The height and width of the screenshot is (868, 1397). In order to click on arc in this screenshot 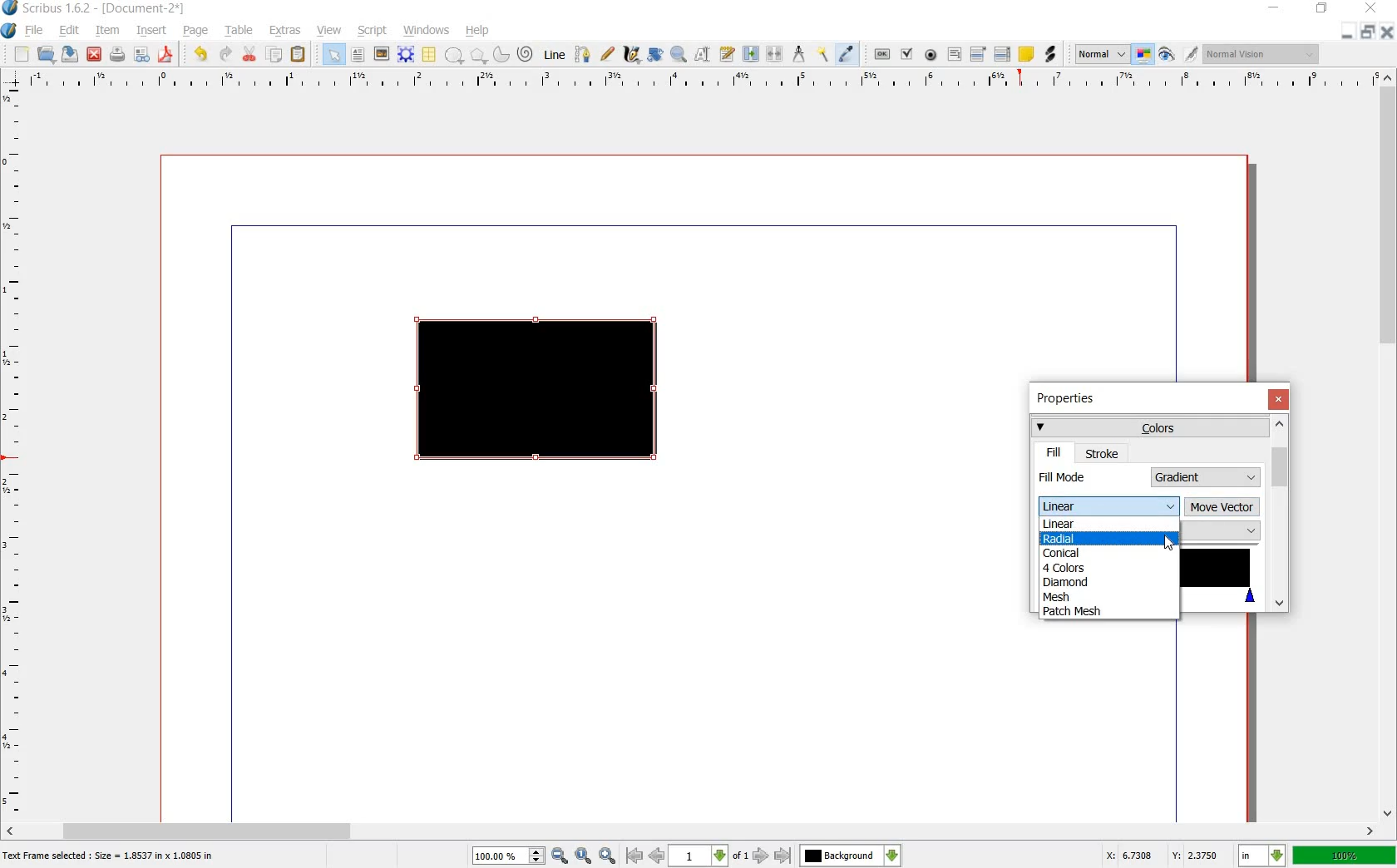, I will do `click(500, 53)`.